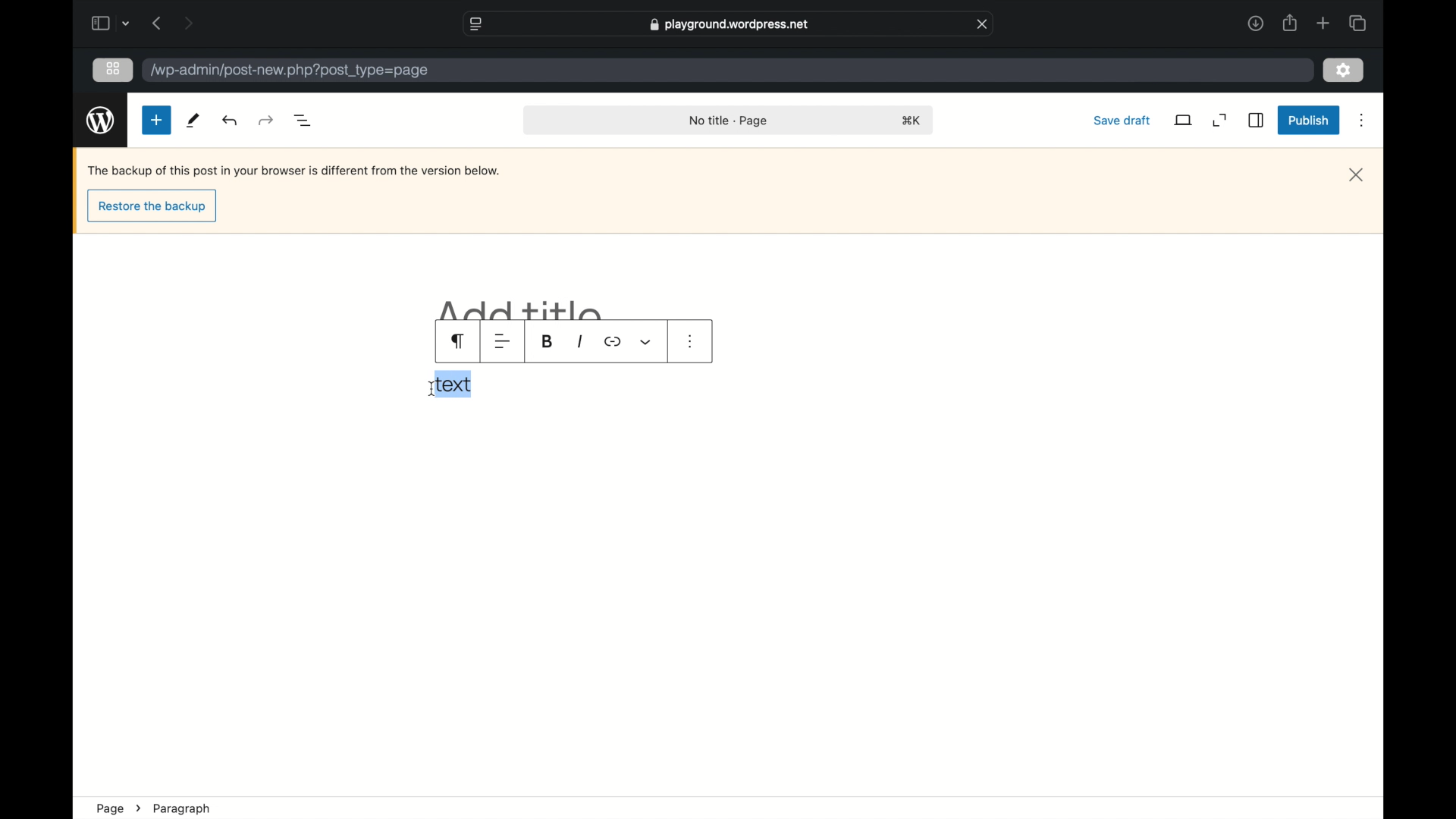 The width and height of the screenshot is (1456, 819). I want to click on new tab, so click(1324, 23).